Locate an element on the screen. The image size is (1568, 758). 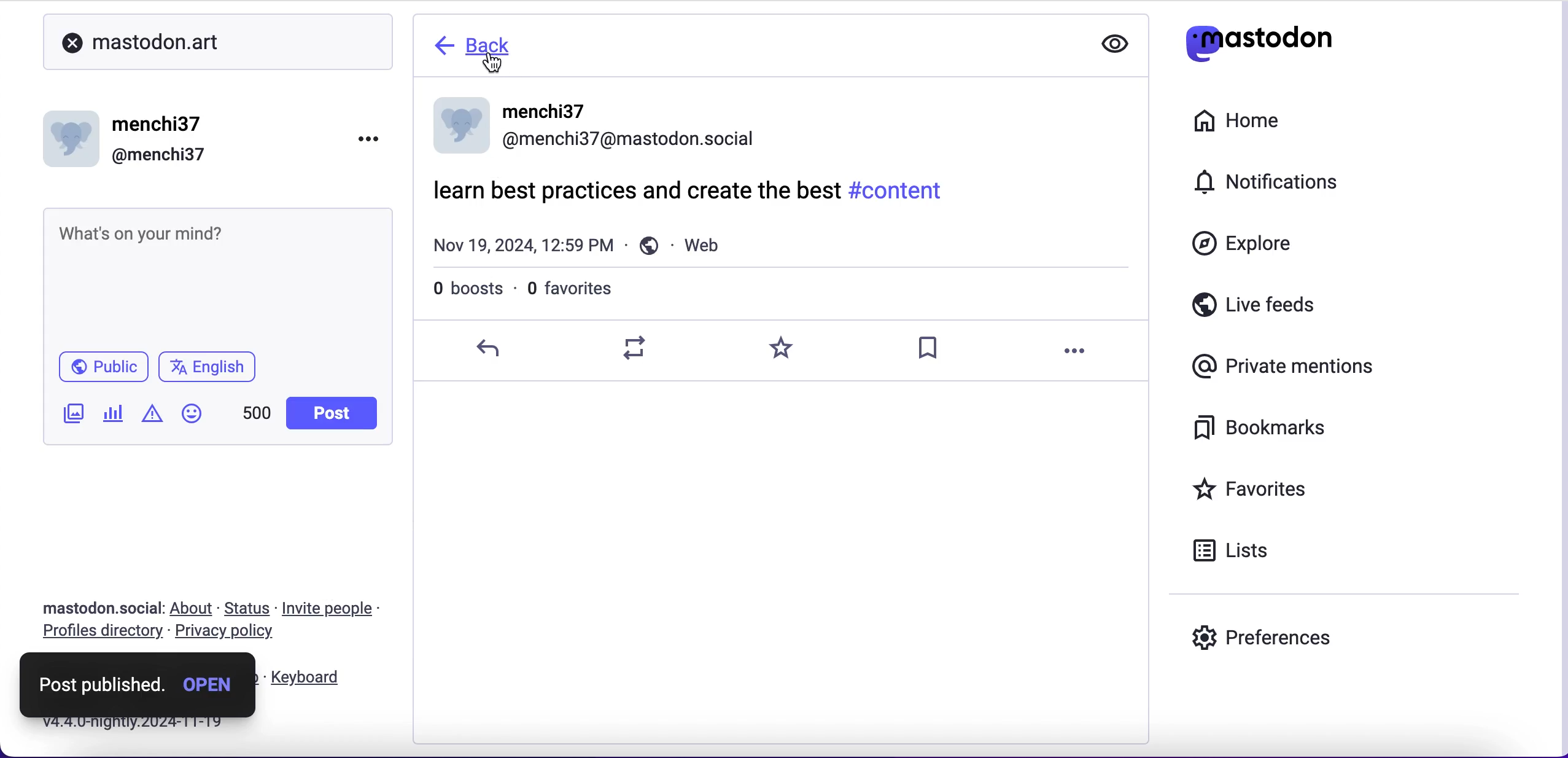
Web is located at coordinates (688, 244).